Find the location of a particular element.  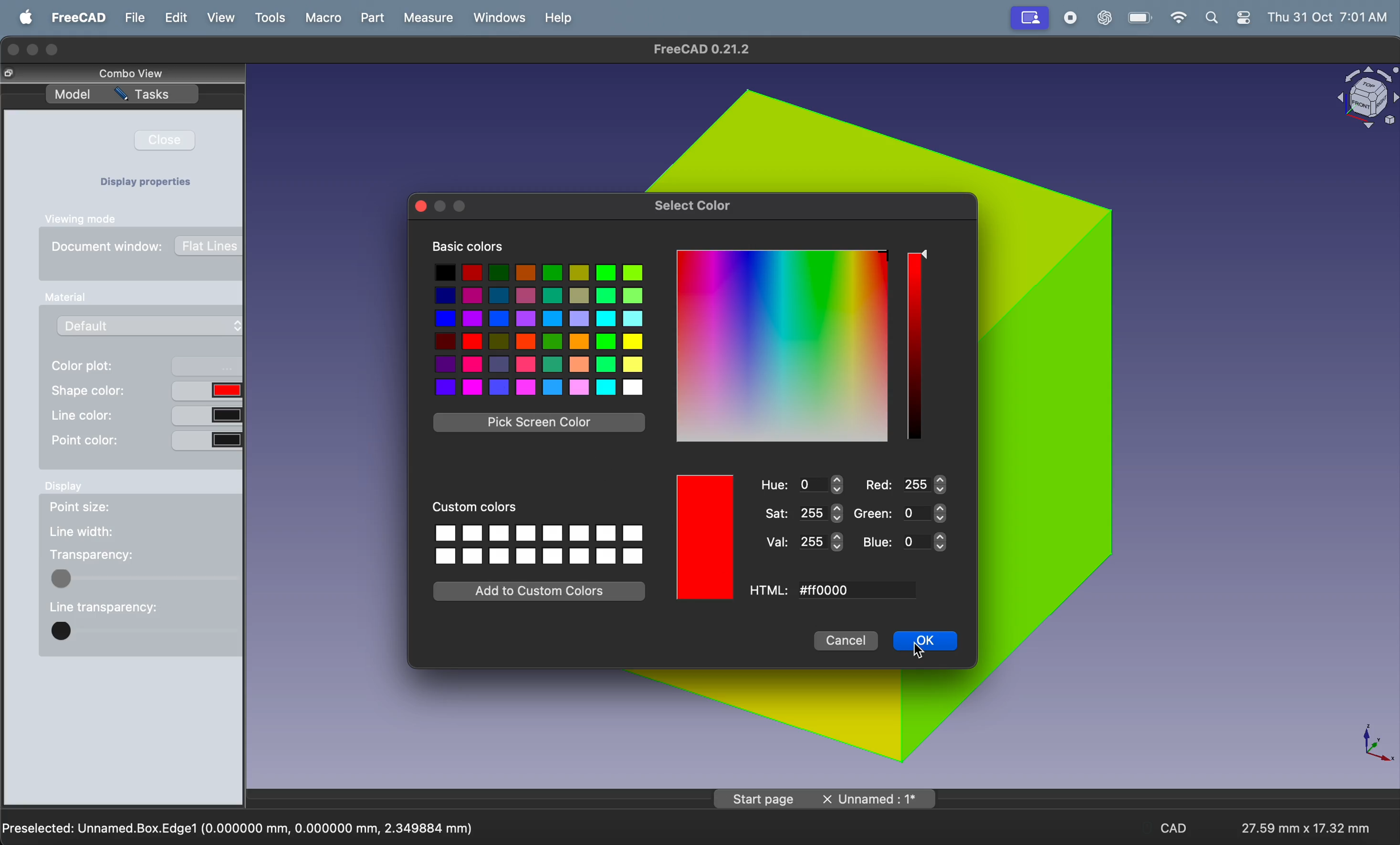

selected color is located at coordinates (704, 538).